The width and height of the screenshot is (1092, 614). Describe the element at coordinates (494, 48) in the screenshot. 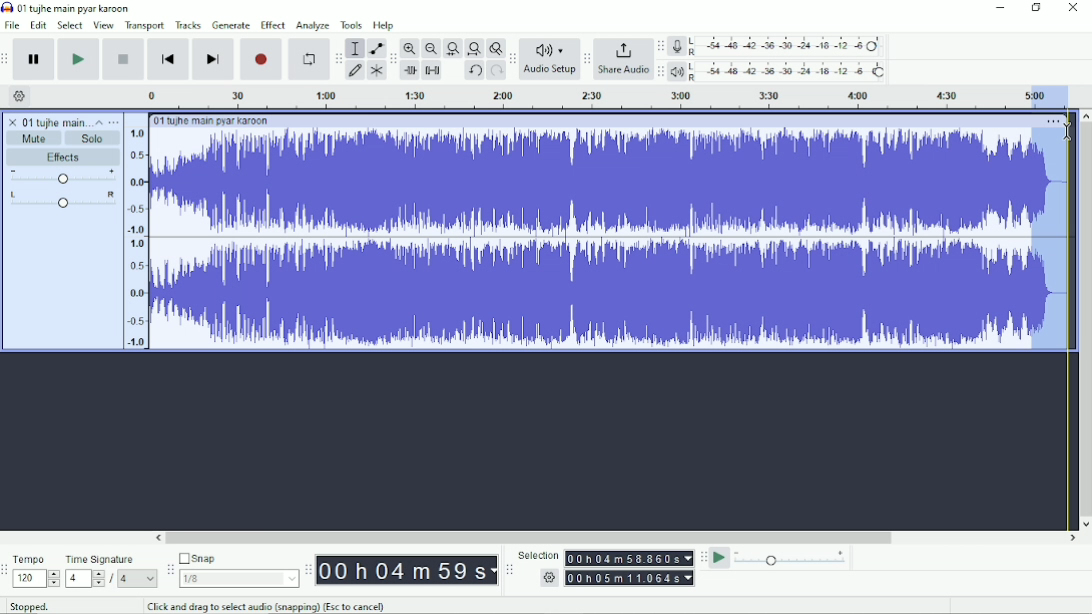

I see `Zoom toggle` at that location.